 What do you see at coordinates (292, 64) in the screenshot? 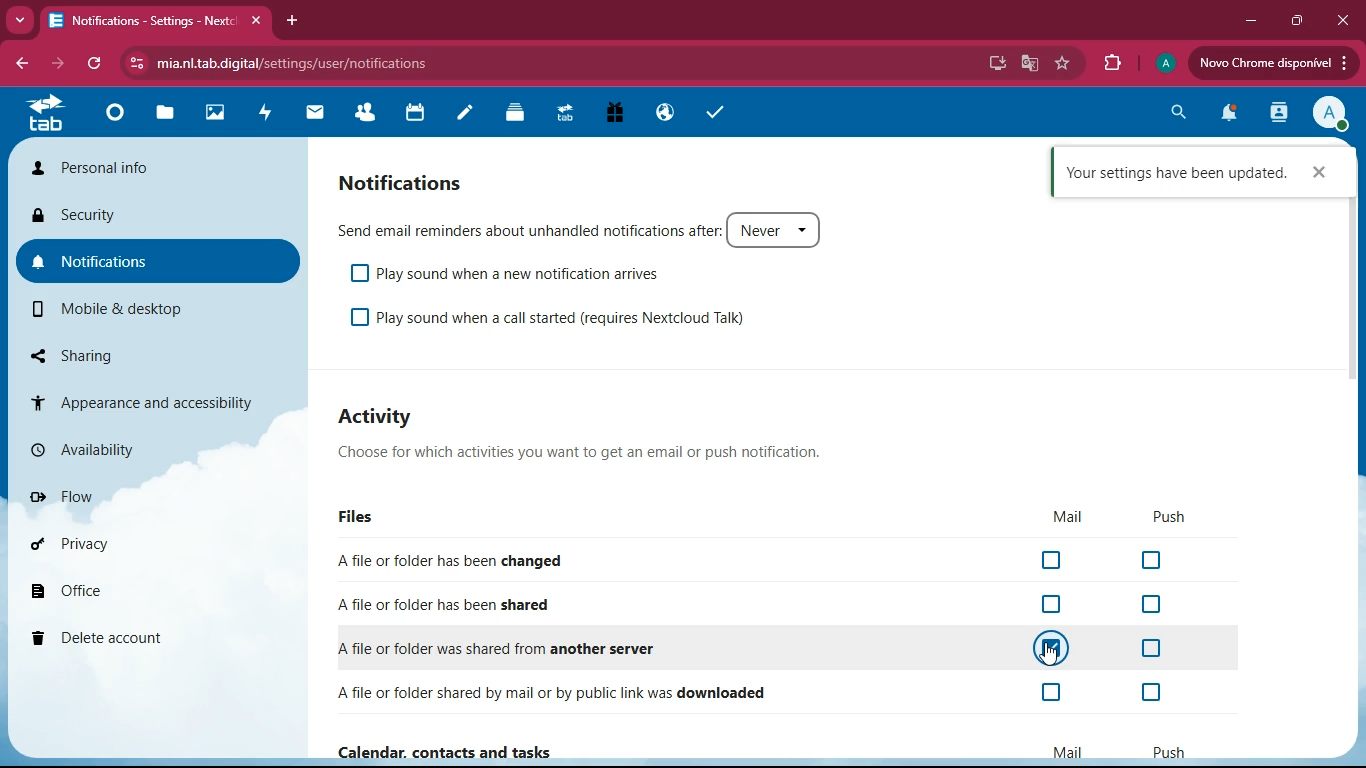
I see `url` at bounding box center [292, 64].